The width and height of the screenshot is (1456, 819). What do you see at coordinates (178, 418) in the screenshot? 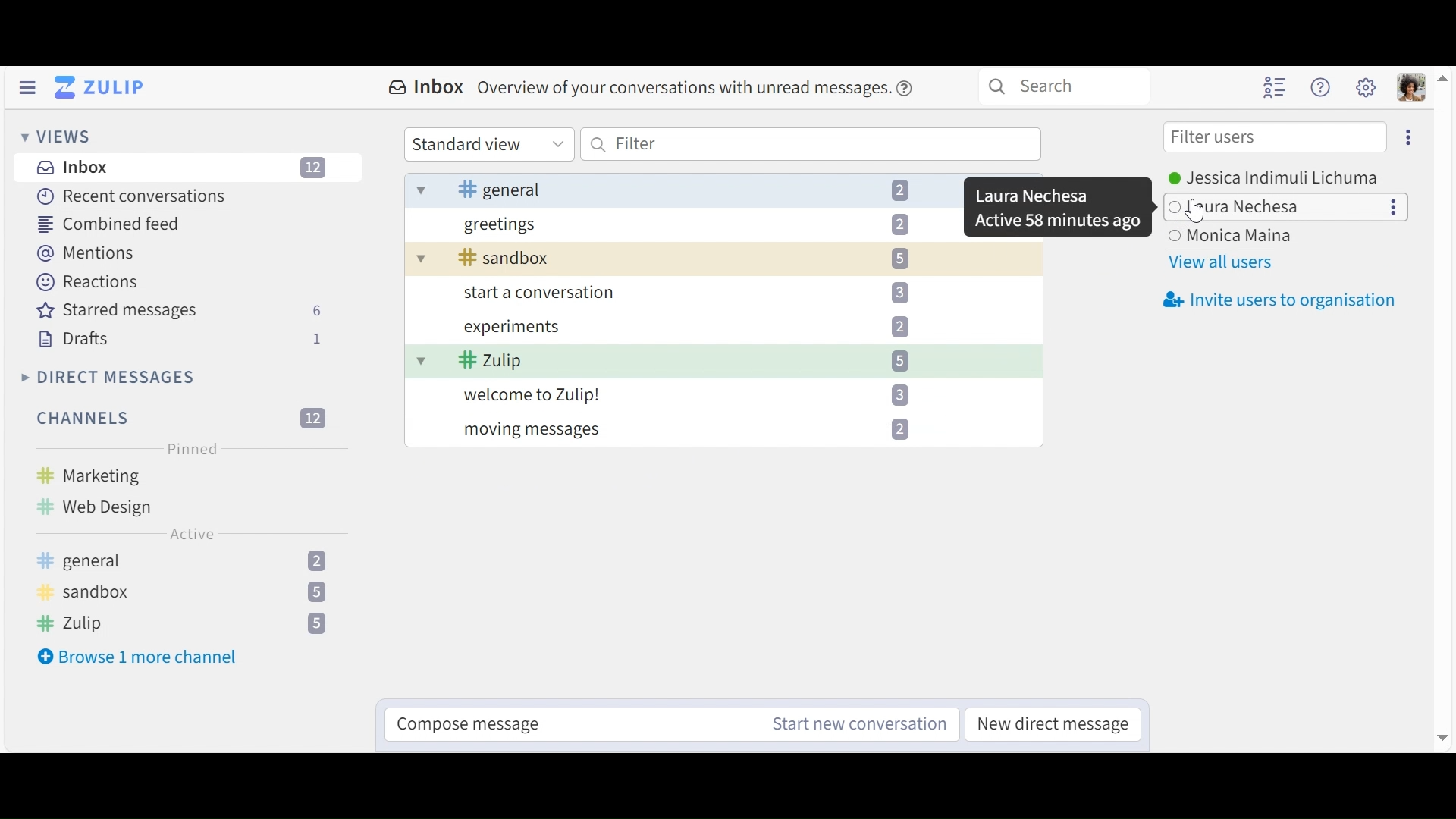
I see `Filter Channels` at bounding box center [178, 418].